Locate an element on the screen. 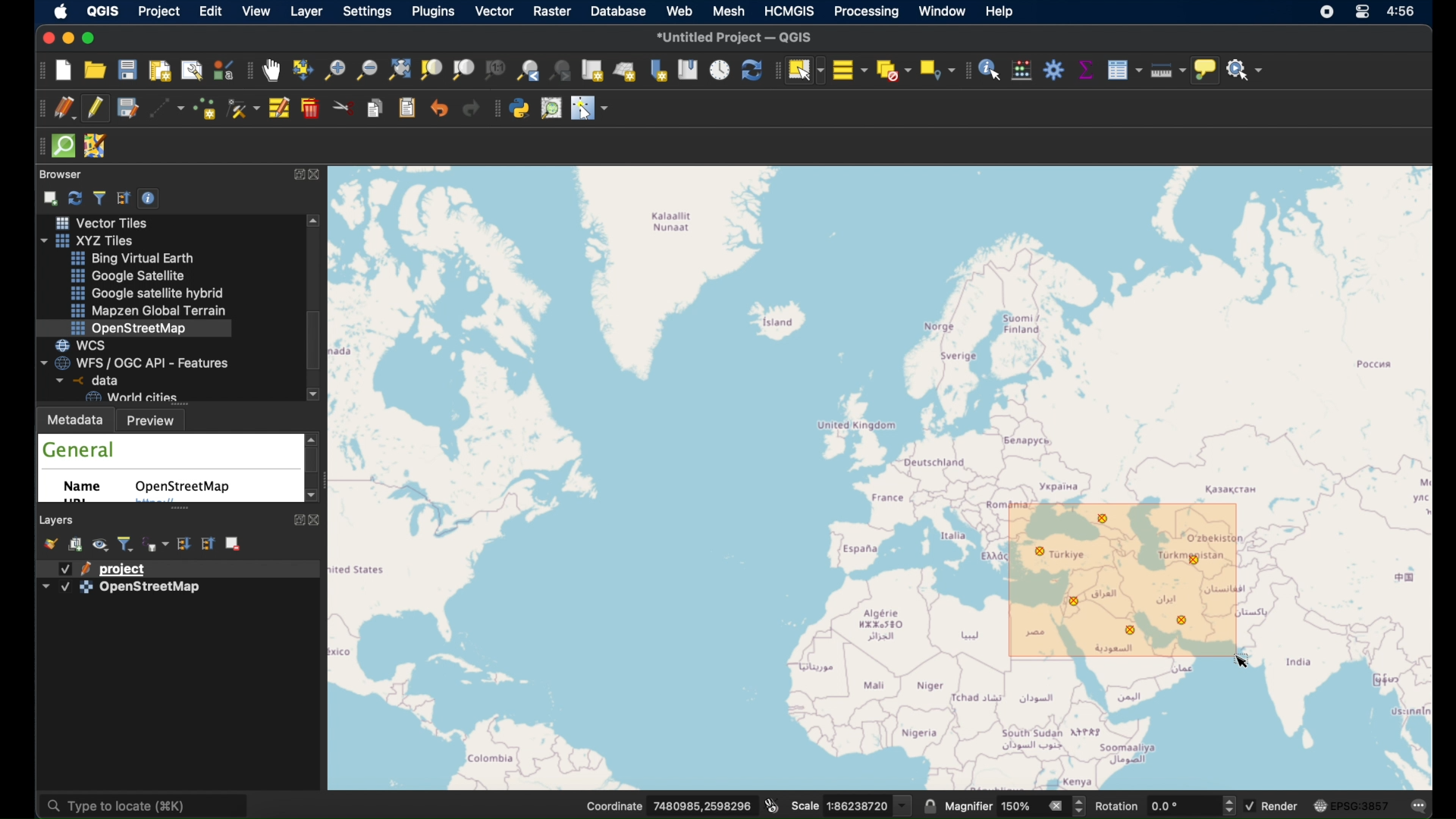 The width and height of the screenshot is (1456, 819). toggle editing is located at coordinates (98, 108).